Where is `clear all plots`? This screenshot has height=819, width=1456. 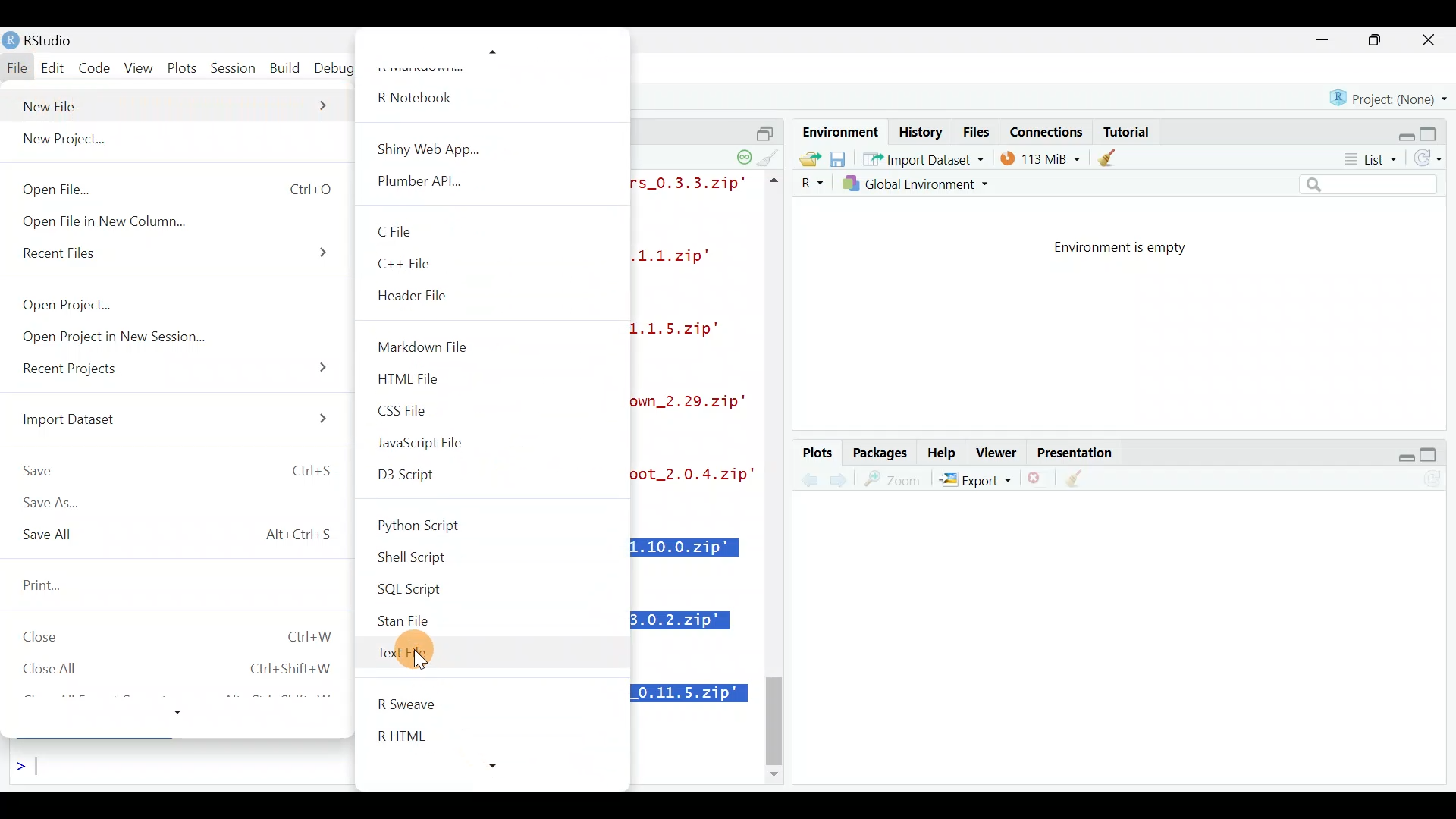 clear all plots is located at coordinates (1083, 481).